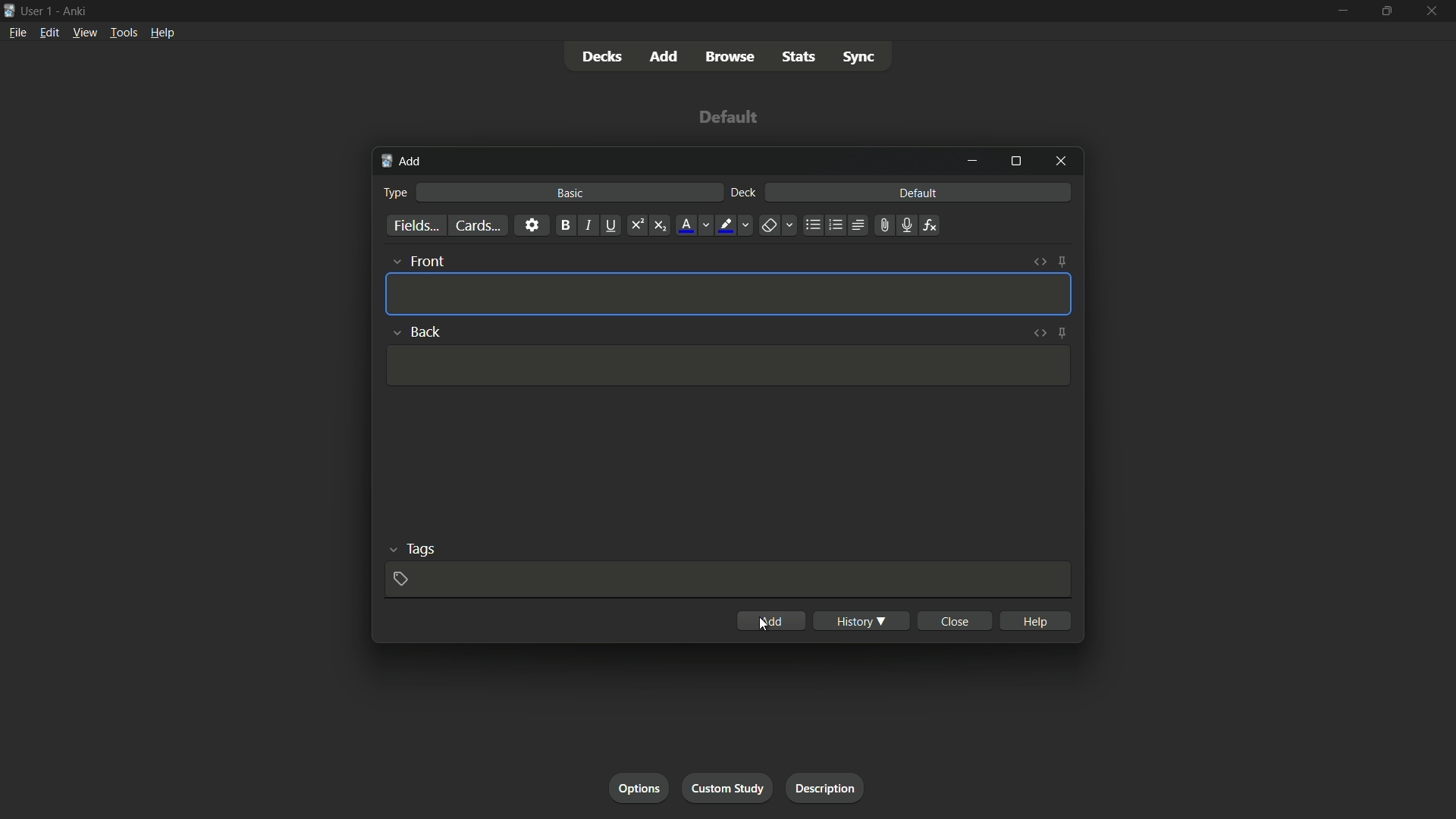  What do you see at coordinates (639, 787) in the screenshot?
I see `options` at bounding box center [639, 787].